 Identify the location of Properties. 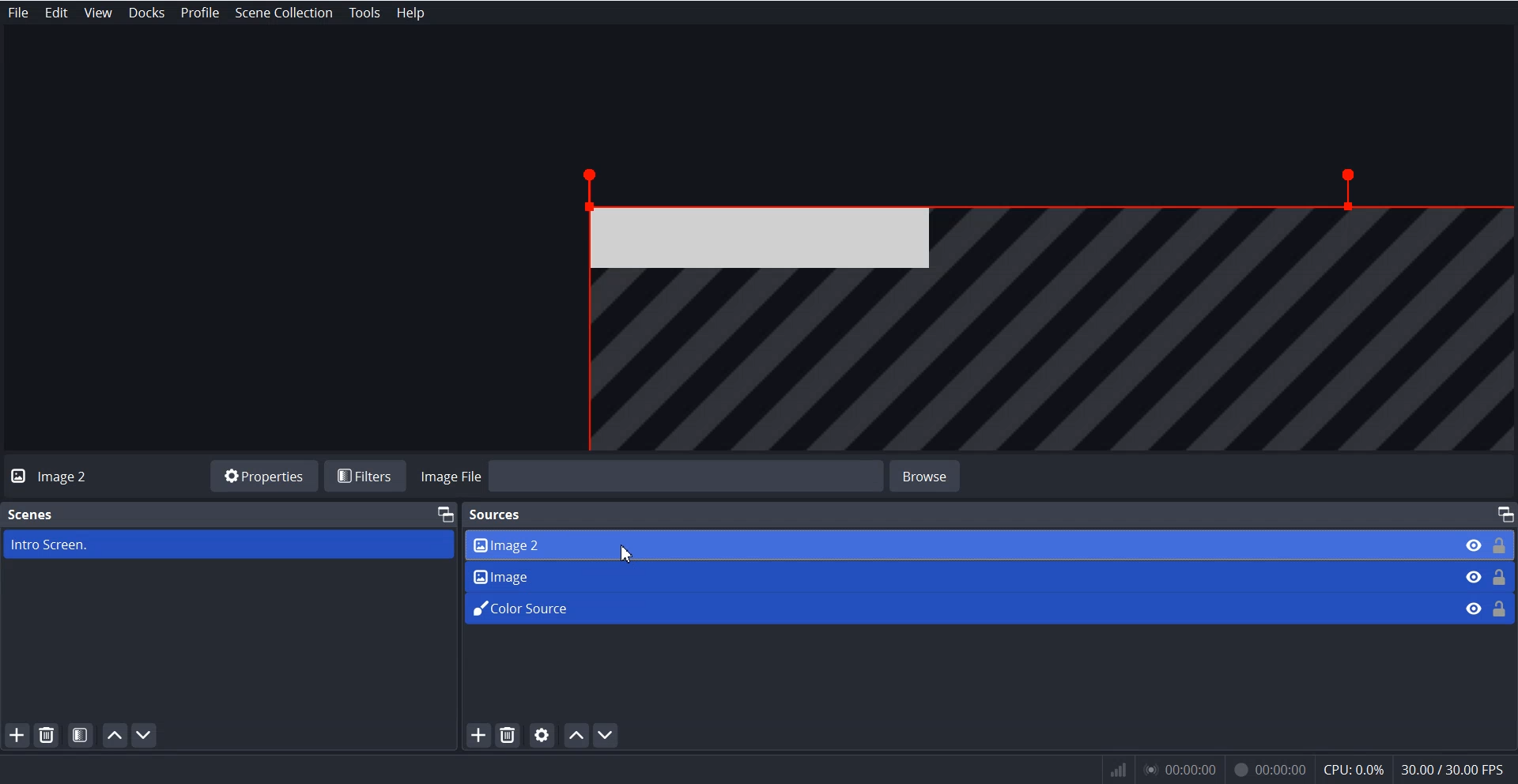
(263, 475).